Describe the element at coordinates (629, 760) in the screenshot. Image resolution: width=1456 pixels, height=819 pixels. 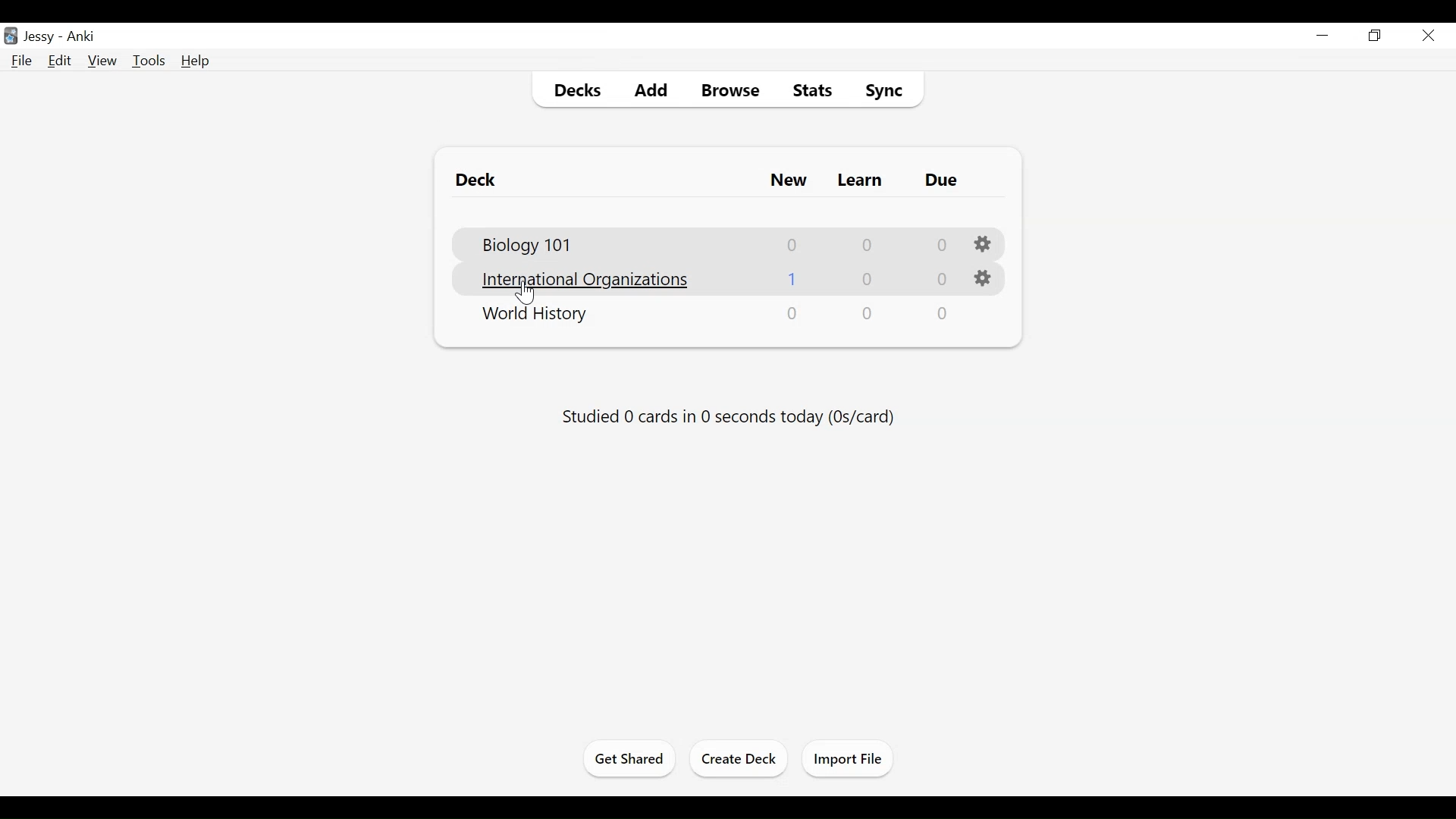
I see `Get Started` at that location.